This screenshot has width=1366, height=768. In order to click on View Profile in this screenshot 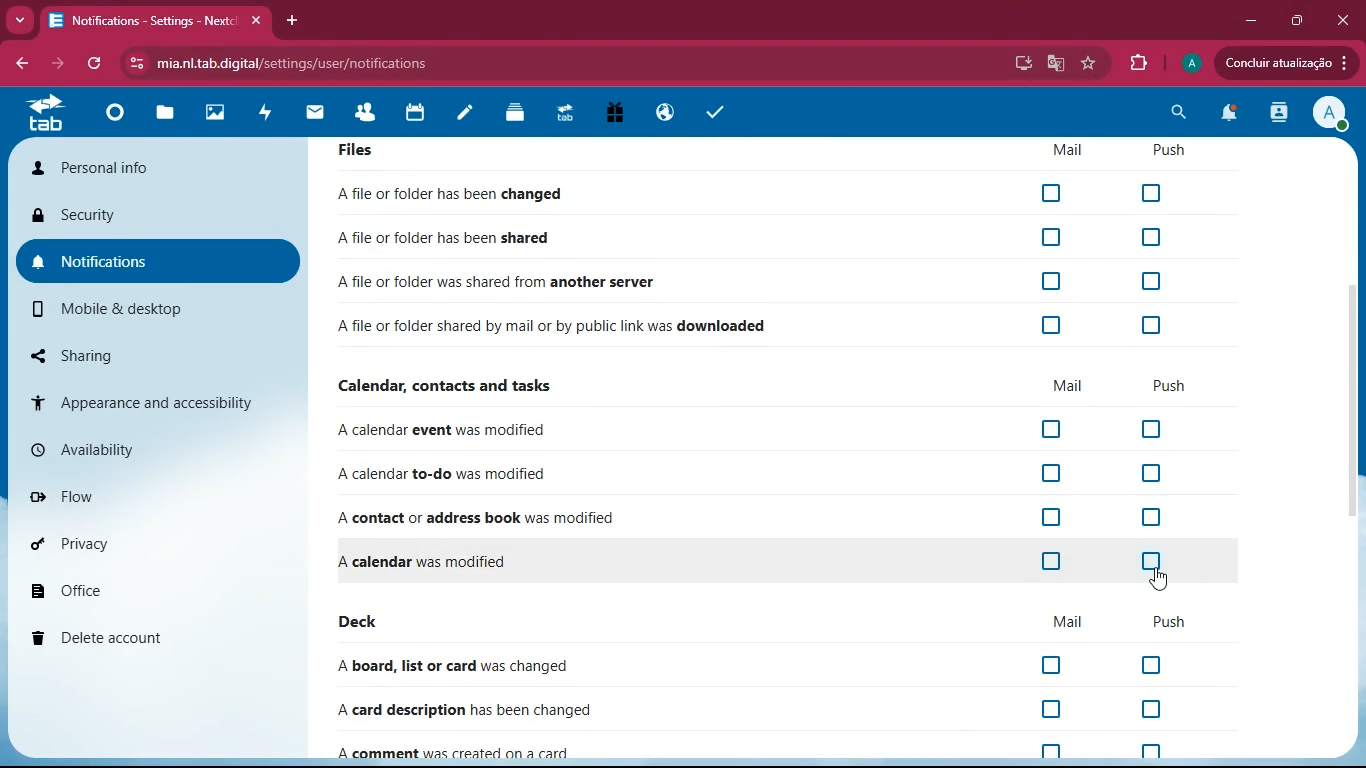, I will do `click(1331, 114)`.